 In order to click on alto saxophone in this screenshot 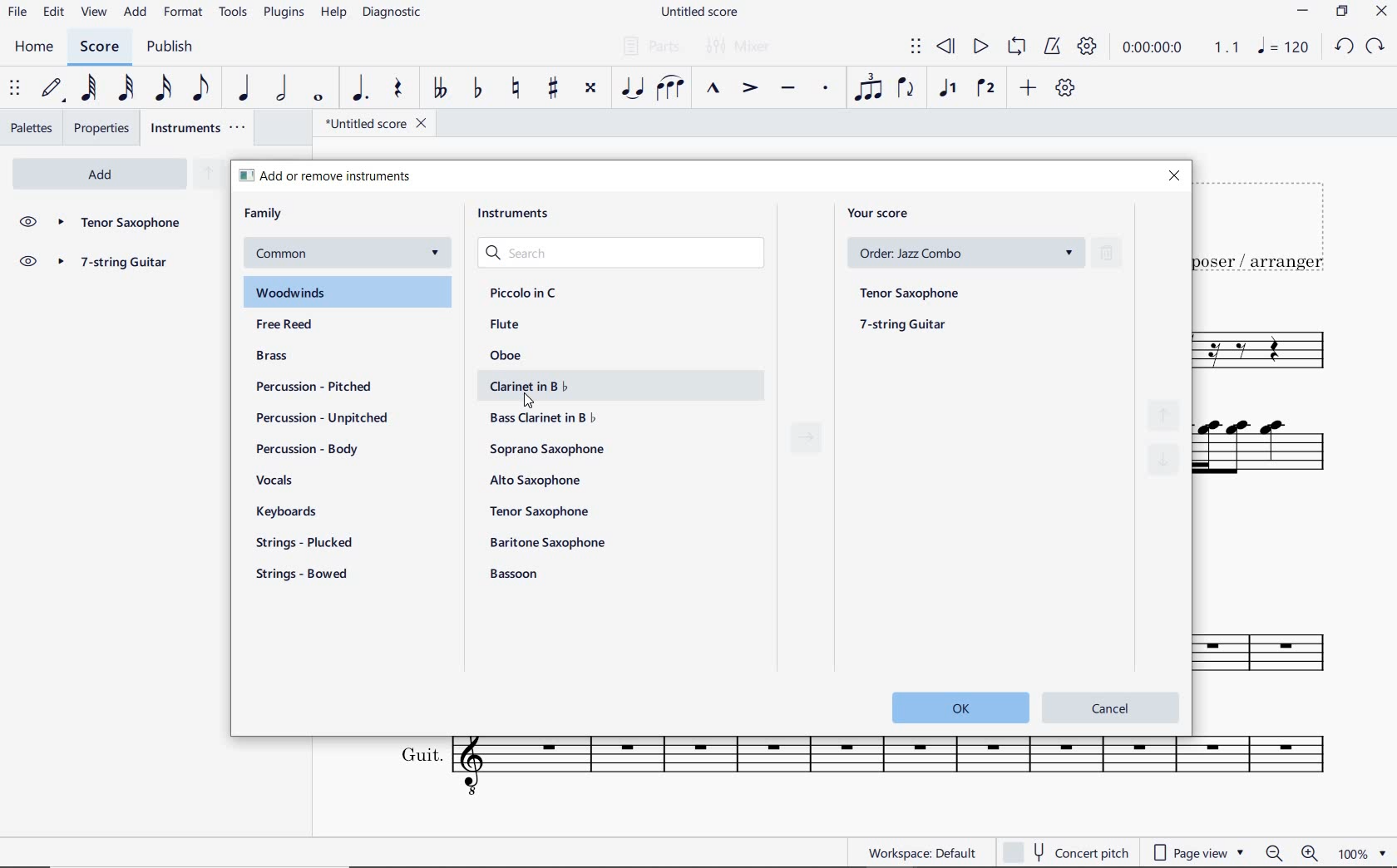, I will do `click(539, 481)`.